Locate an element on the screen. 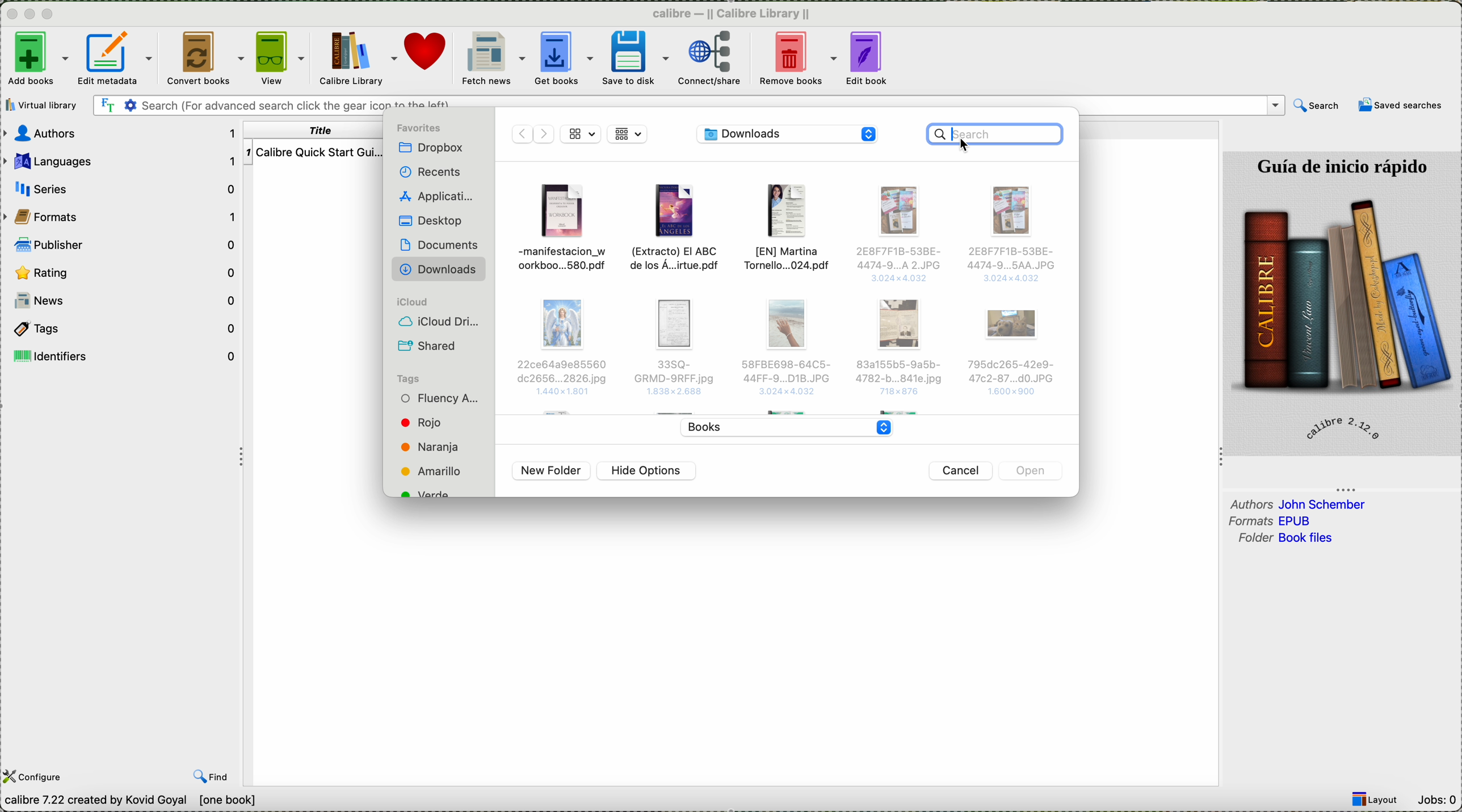 Image resolution: width=1462 pixels, height=812 pixels. Calibre library is located at coordinates (356, 59).